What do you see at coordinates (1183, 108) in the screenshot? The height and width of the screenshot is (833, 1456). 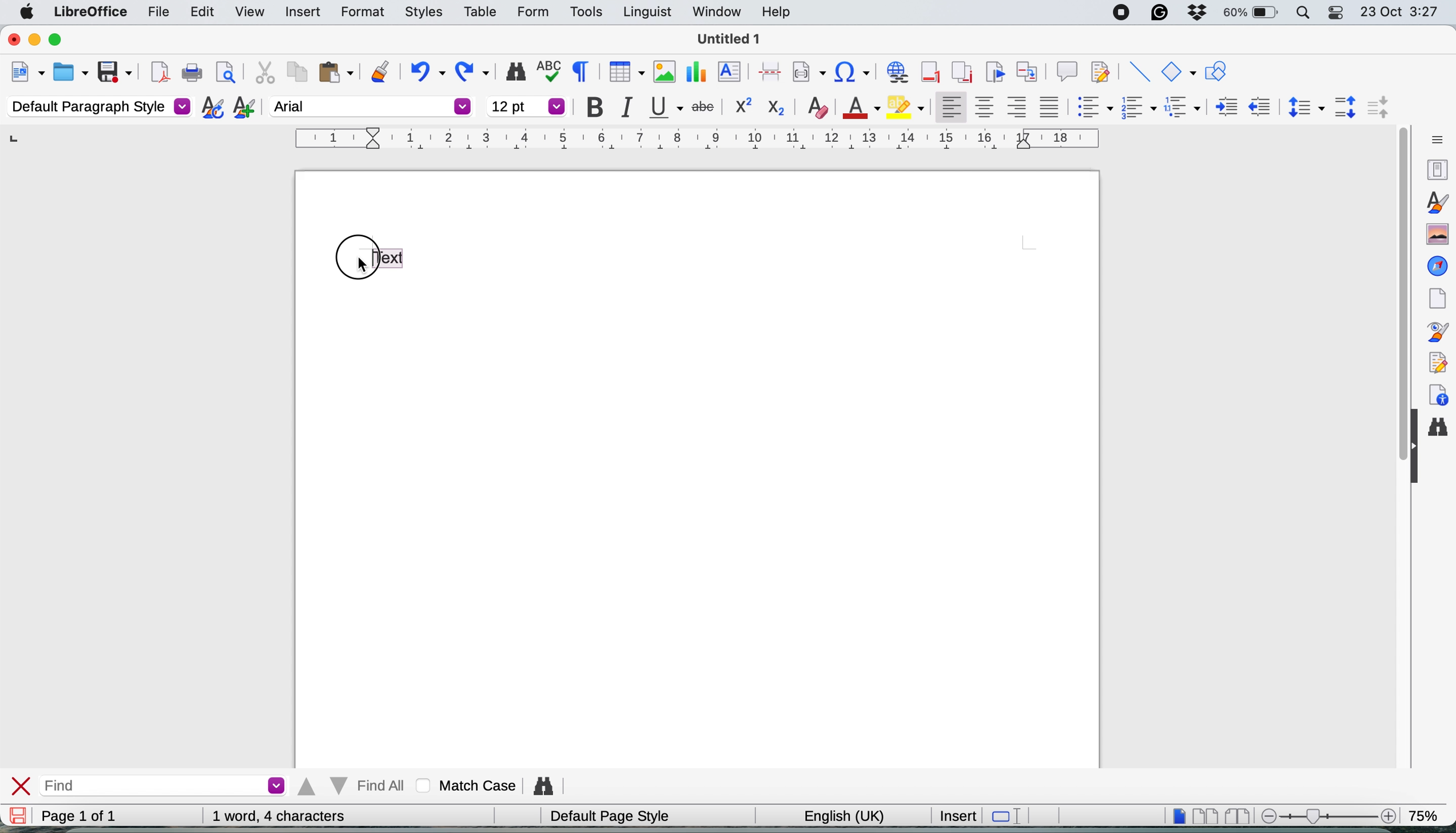 I see `select outline format` at bounding box center [1183, 108].